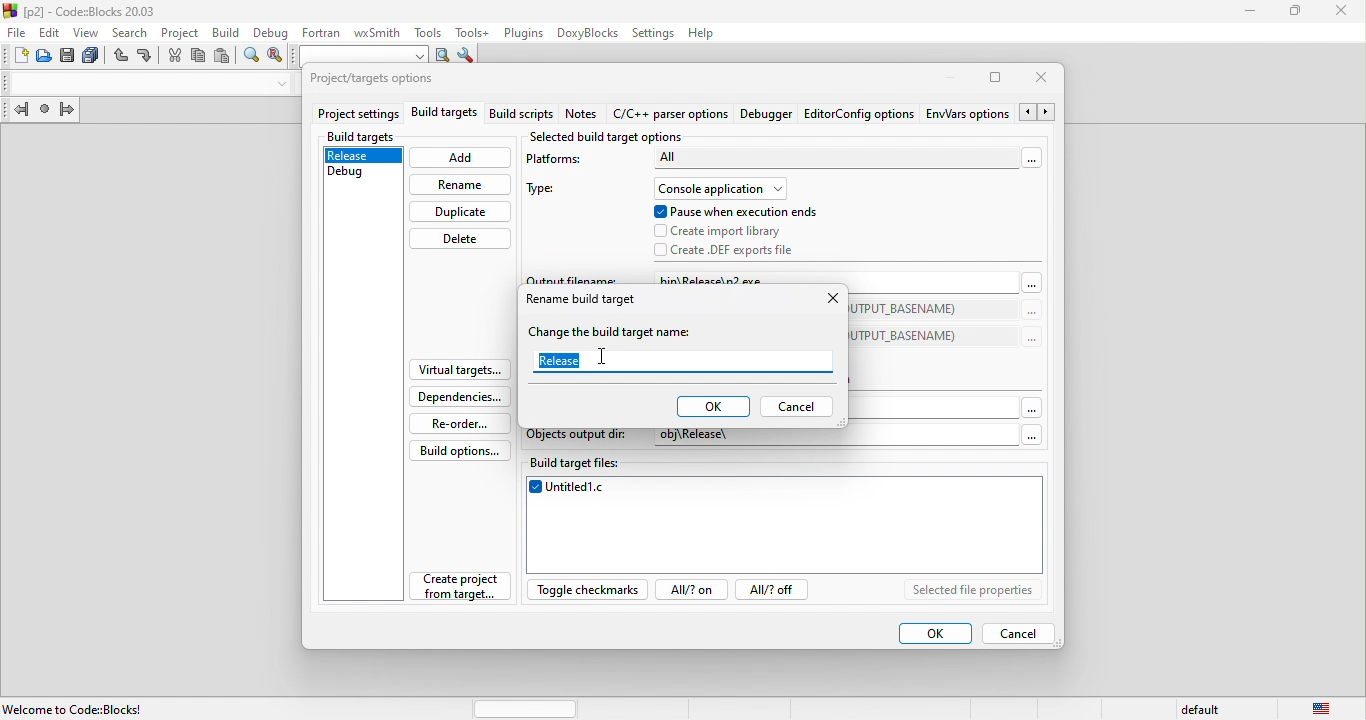  What do you see at coordinates (525, 115) in the screenshot?
I see `build script ` at bounding box center [525, 115].